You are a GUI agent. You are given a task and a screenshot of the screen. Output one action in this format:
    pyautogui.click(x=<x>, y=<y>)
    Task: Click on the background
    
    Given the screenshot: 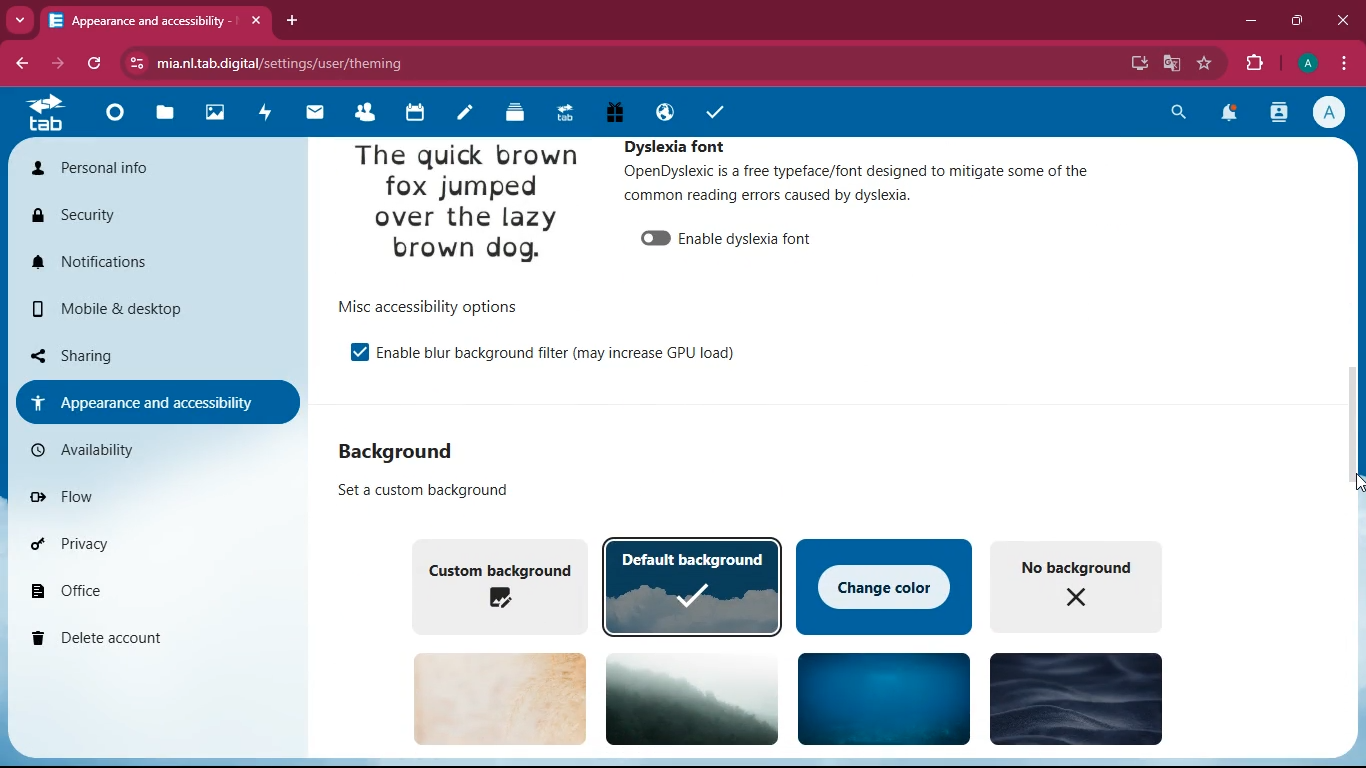 What is the action you would take?
    pyautogui.click(x=400, y=453)
    